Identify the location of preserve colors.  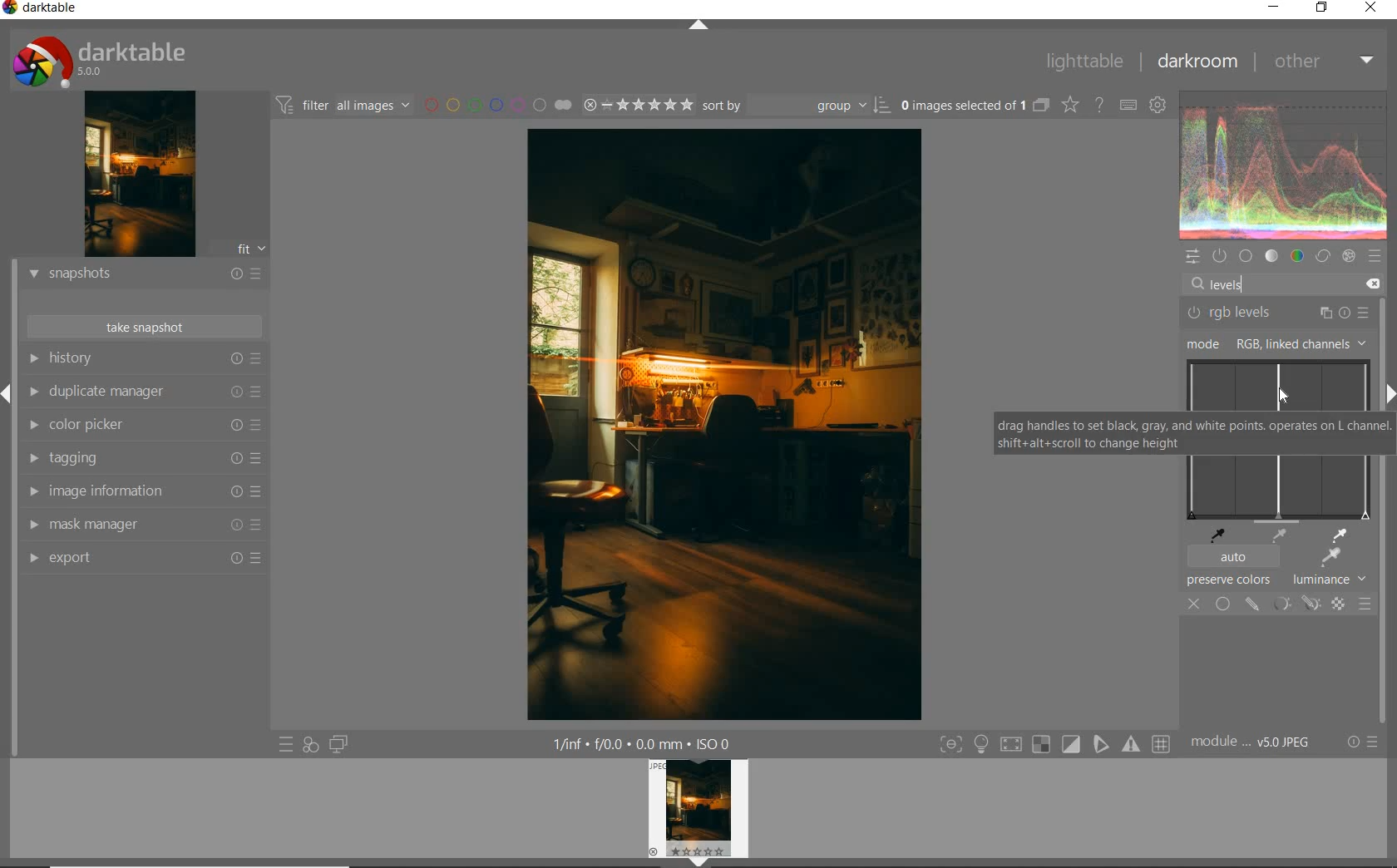
(1229, 581).